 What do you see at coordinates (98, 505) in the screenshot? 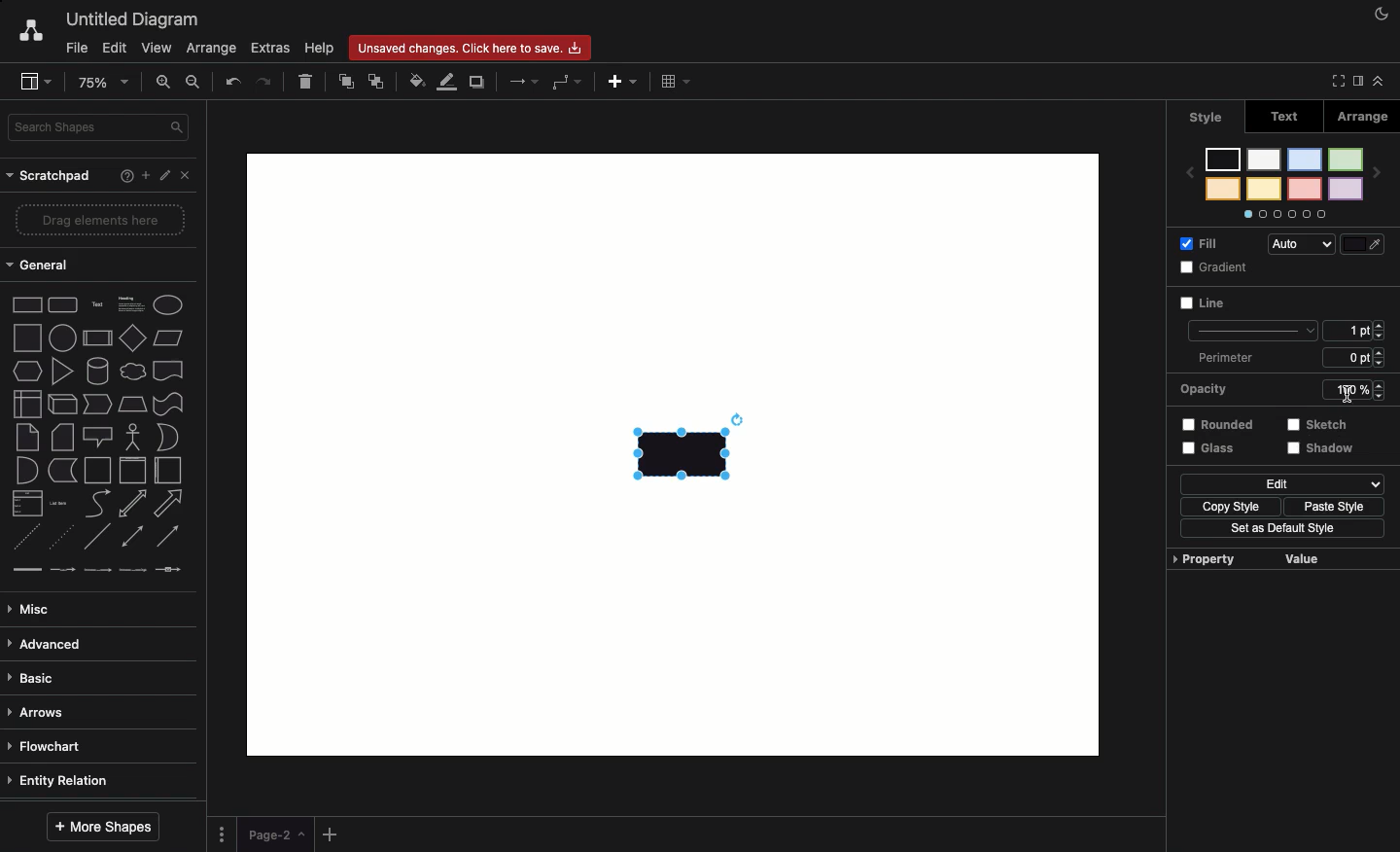
I see `curve` at bounding box center [98, 505].